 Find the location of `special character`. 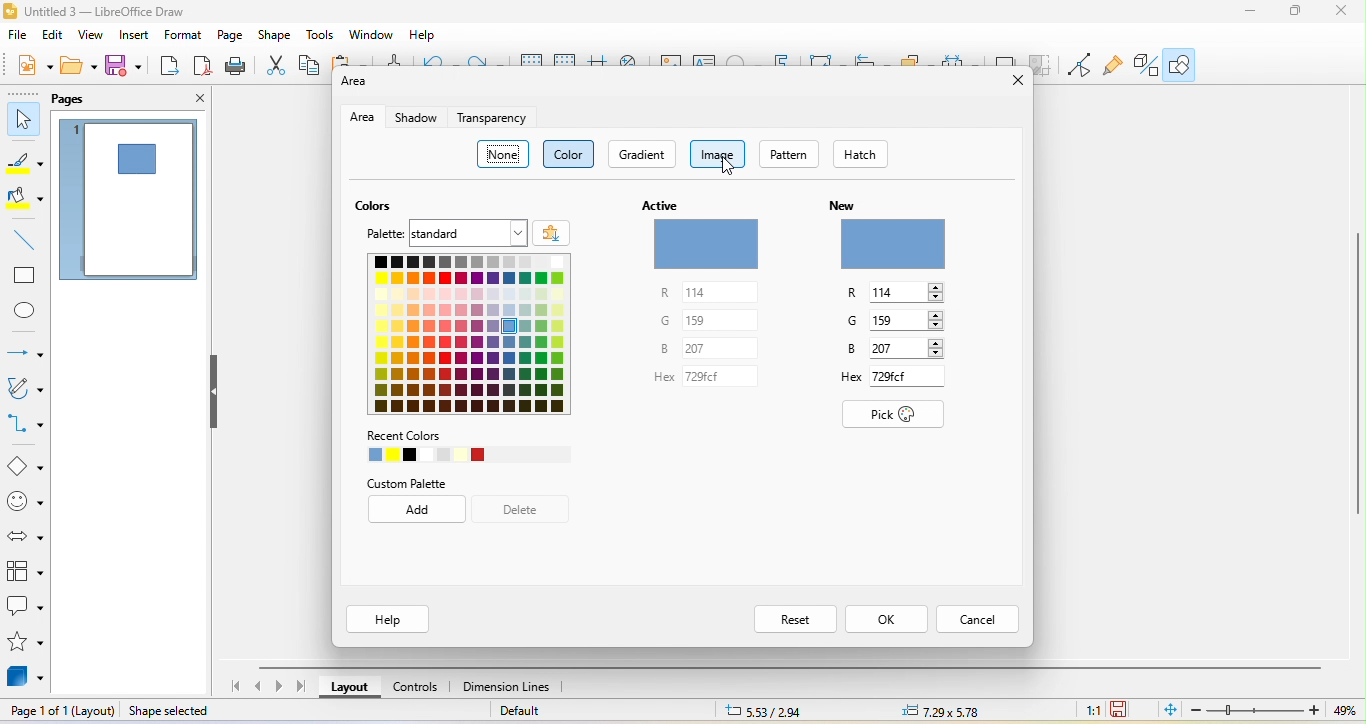

special character is located at coordinates (743, 59).